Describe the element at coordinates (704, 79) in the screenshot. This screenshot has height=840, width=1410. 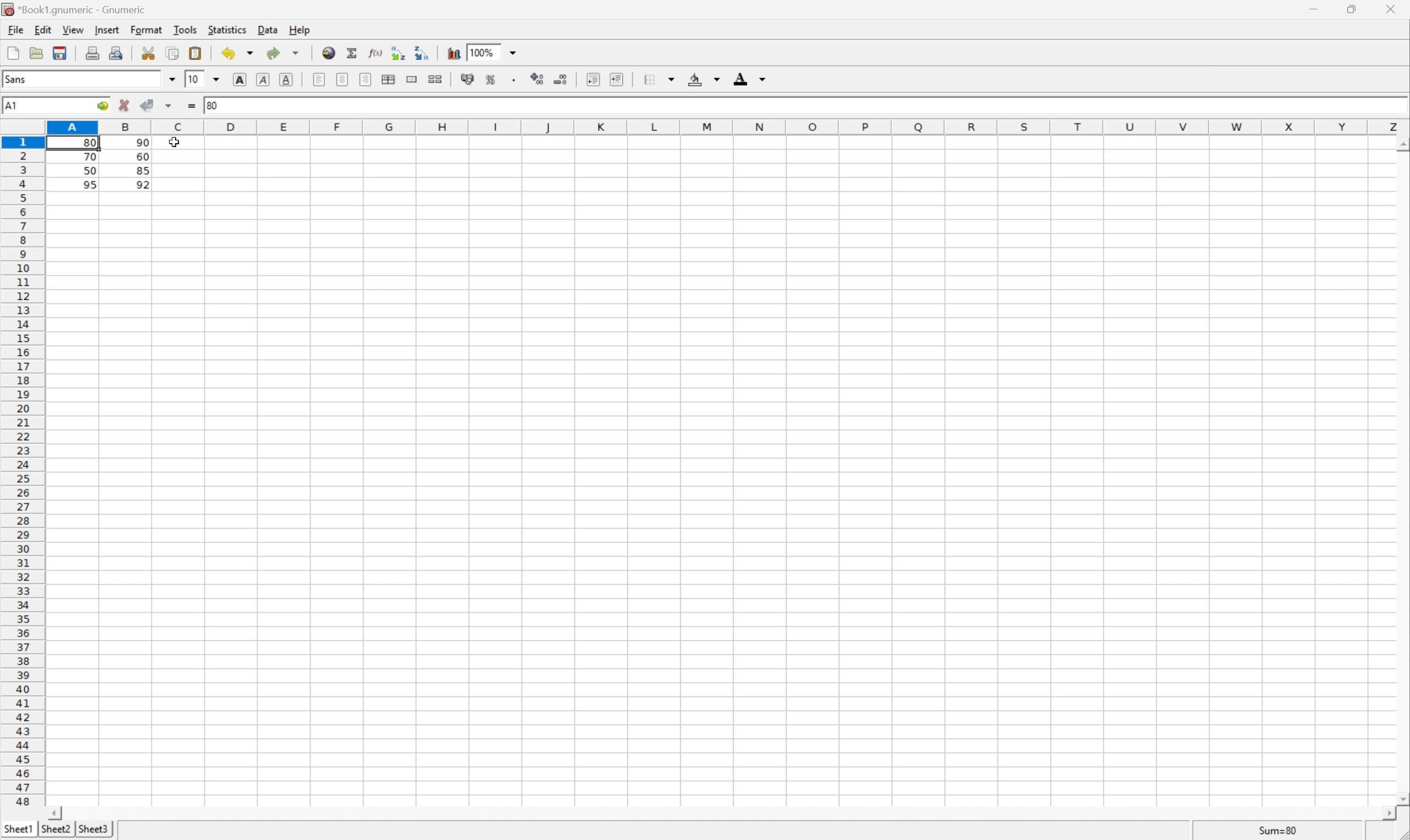
I see `Background` at that location.